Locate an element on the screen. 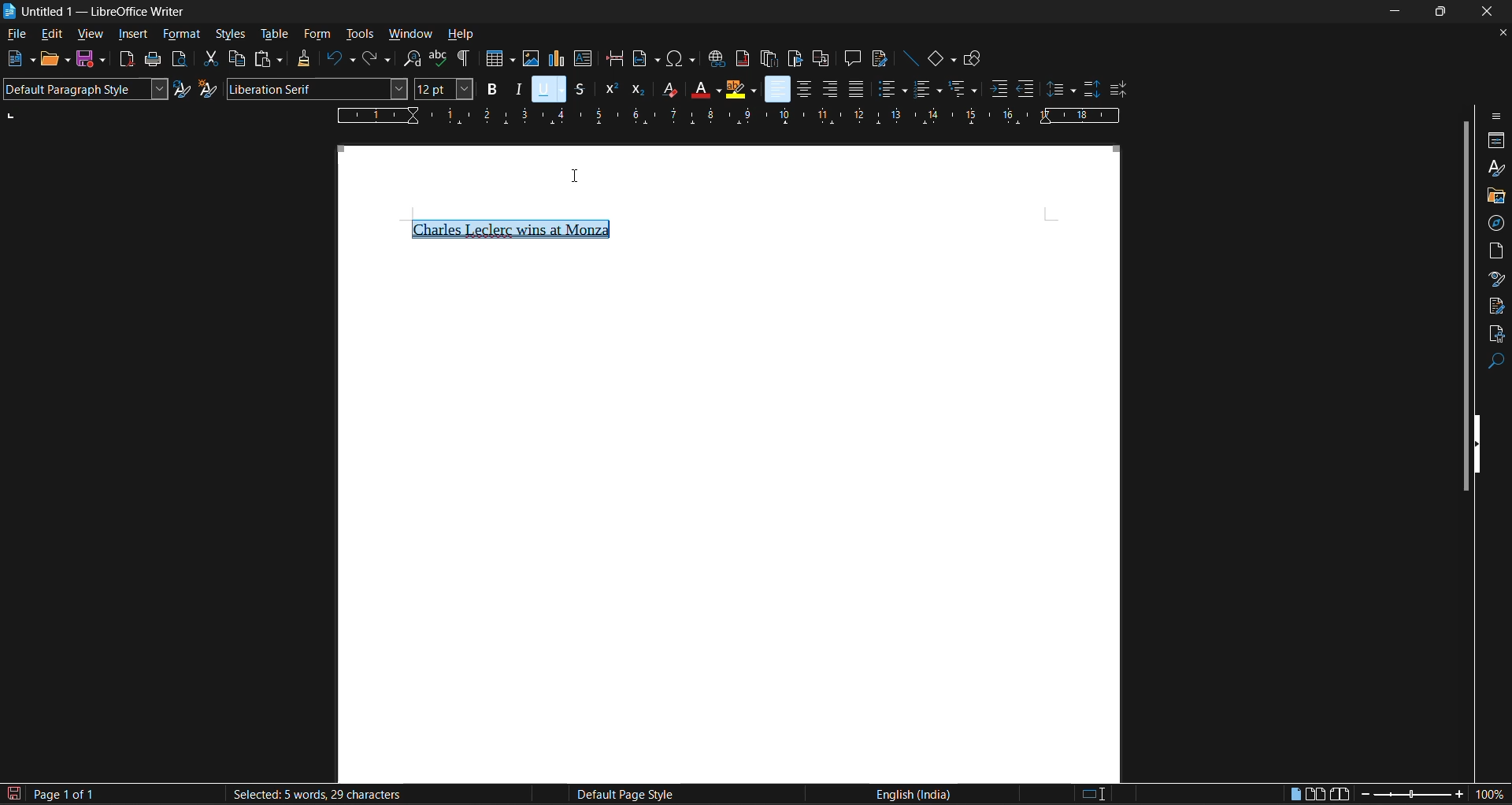 This screenshot has width=1512, height=805. insert comments is located at coordinates (853, 58).